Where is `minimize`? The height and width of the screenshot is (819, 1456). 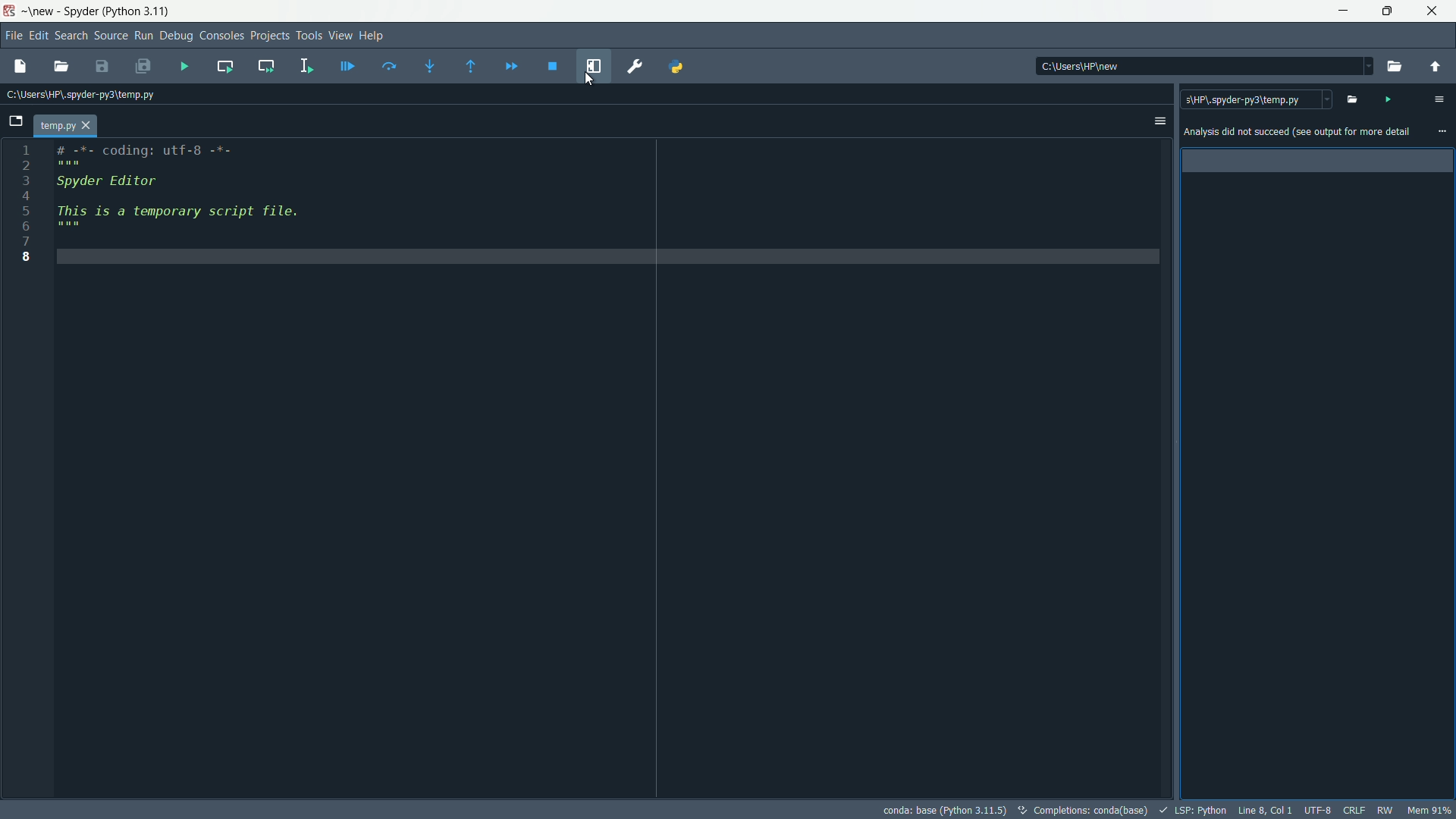
minimize is located at coordinates (1345, 11).